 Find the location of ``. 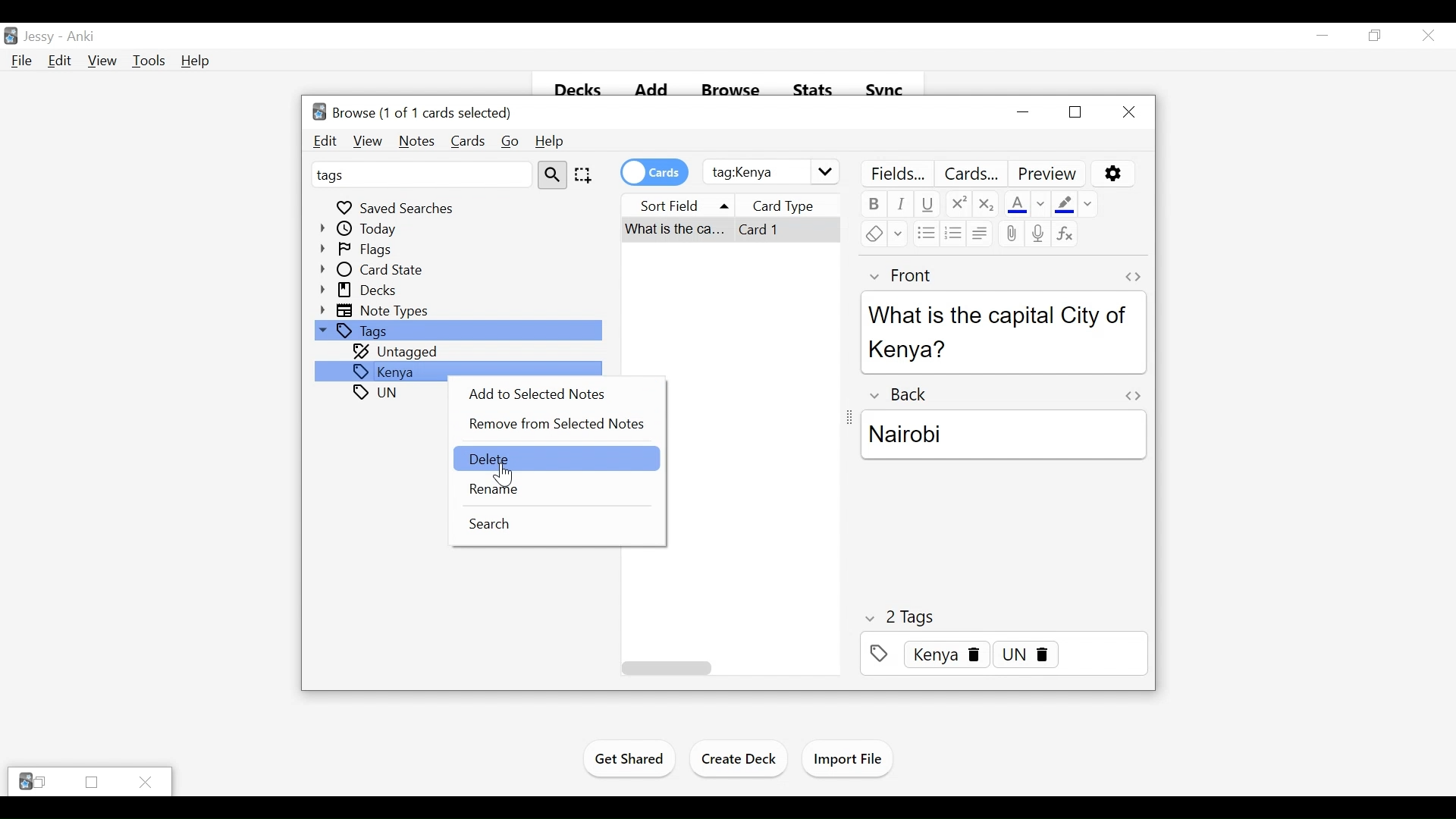

 is located at coordinates (985, 204).